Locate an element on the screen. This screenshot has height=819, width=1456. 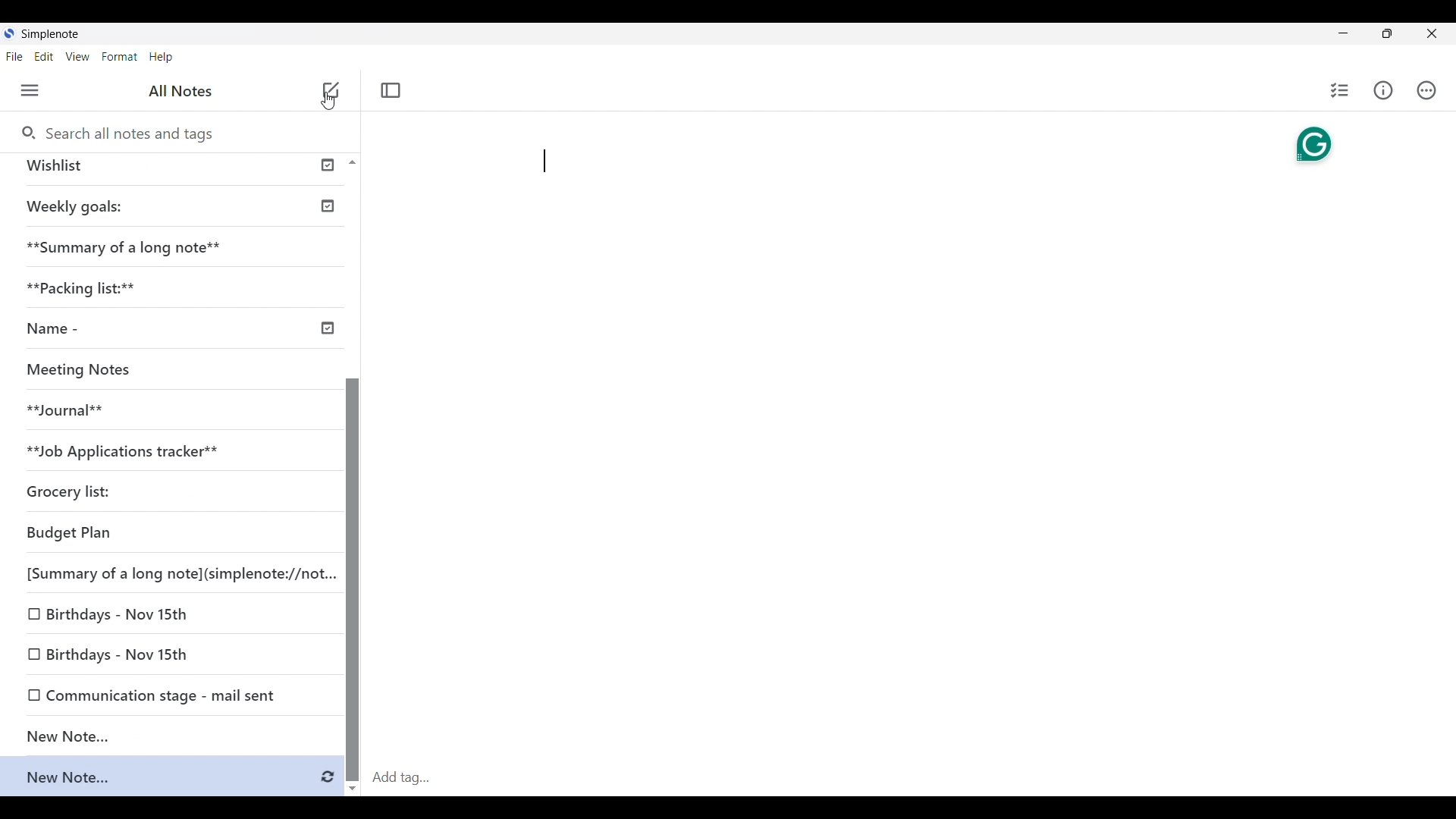
Grocery list is located at coordinates (70, 493).